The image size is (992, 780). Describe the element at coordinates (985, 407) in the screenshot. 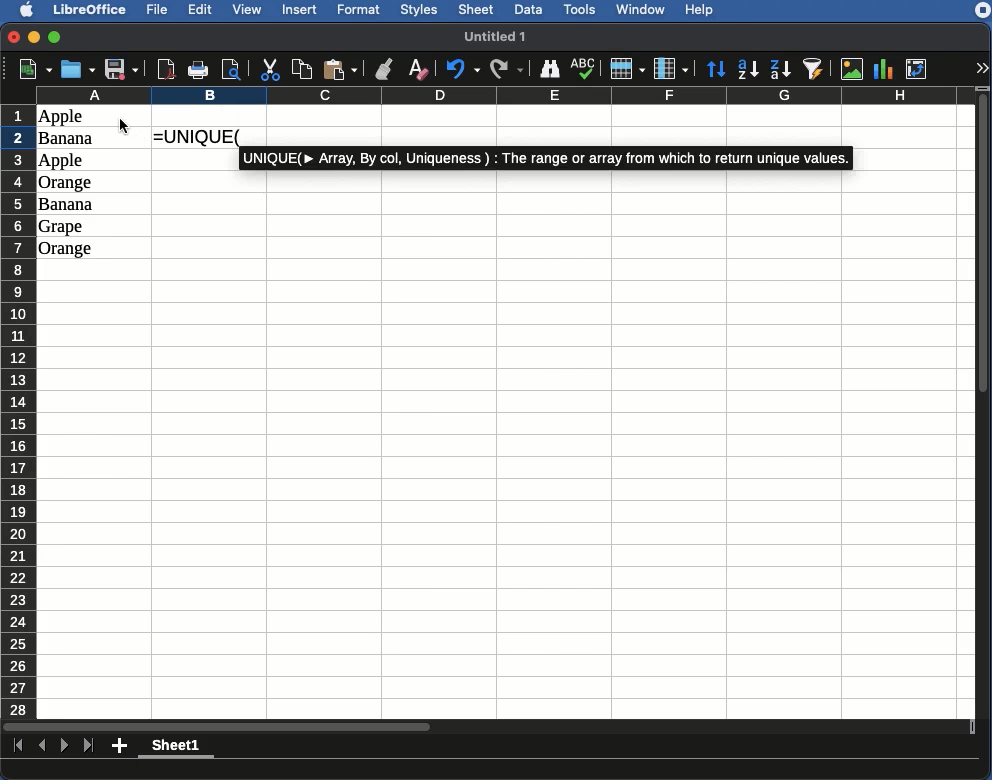

I see `Scroll` at that location.